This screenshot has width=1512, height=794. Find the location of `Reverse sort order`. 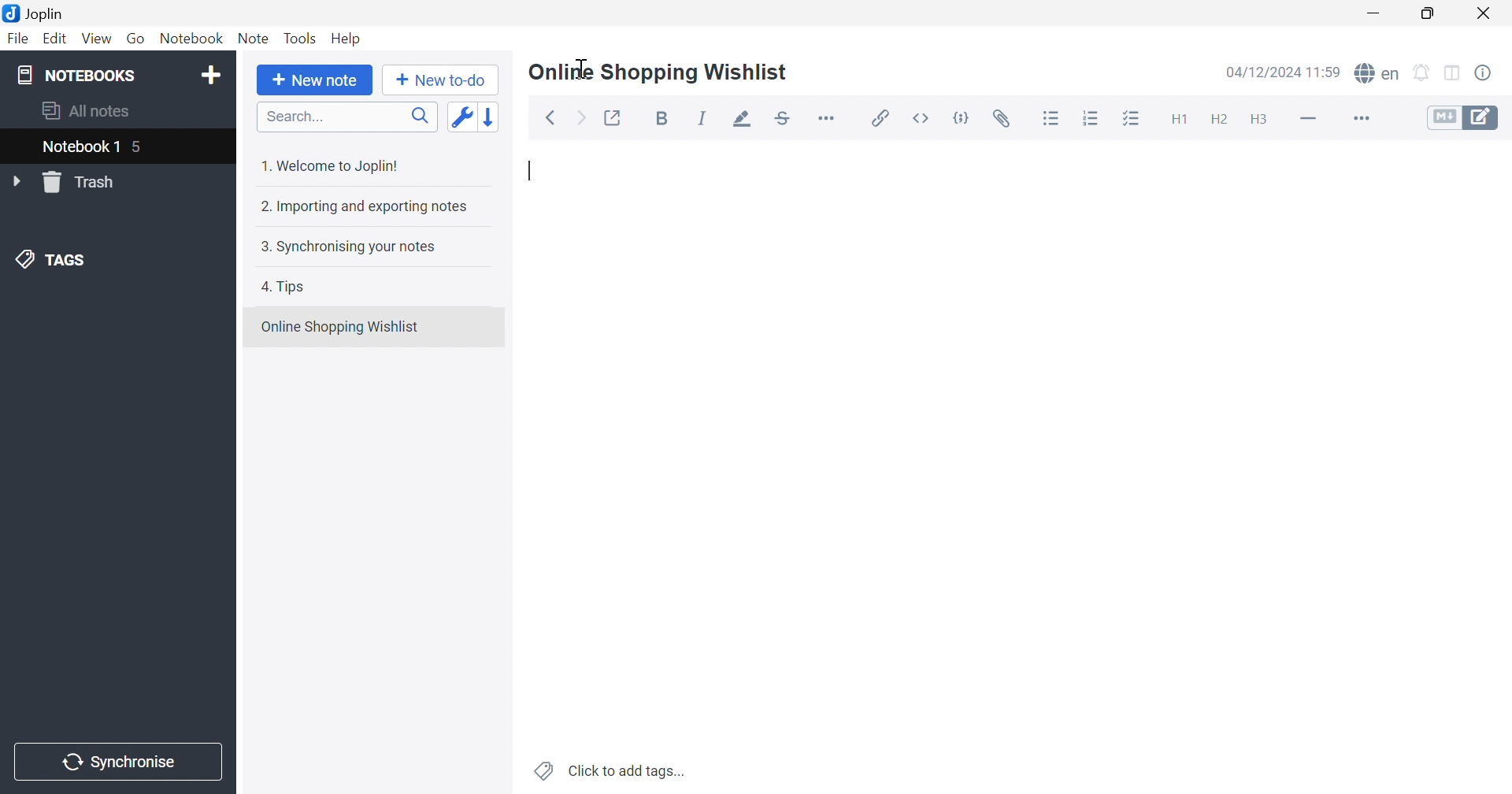

Reverse sort order is located at coordinates (490, 117).